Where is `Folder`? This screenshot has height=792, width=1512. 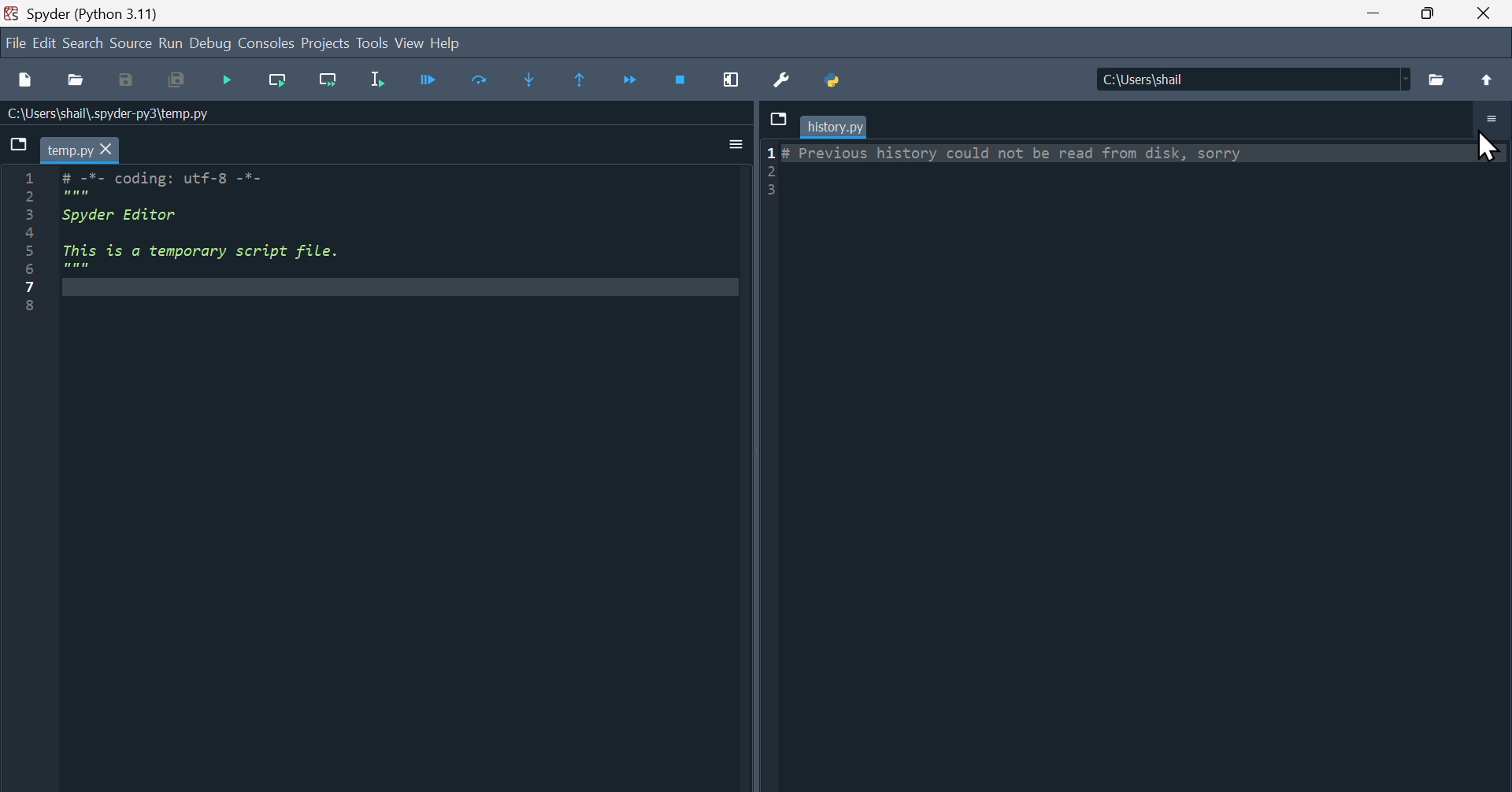
Folder is located at coordinates (1440, 79).